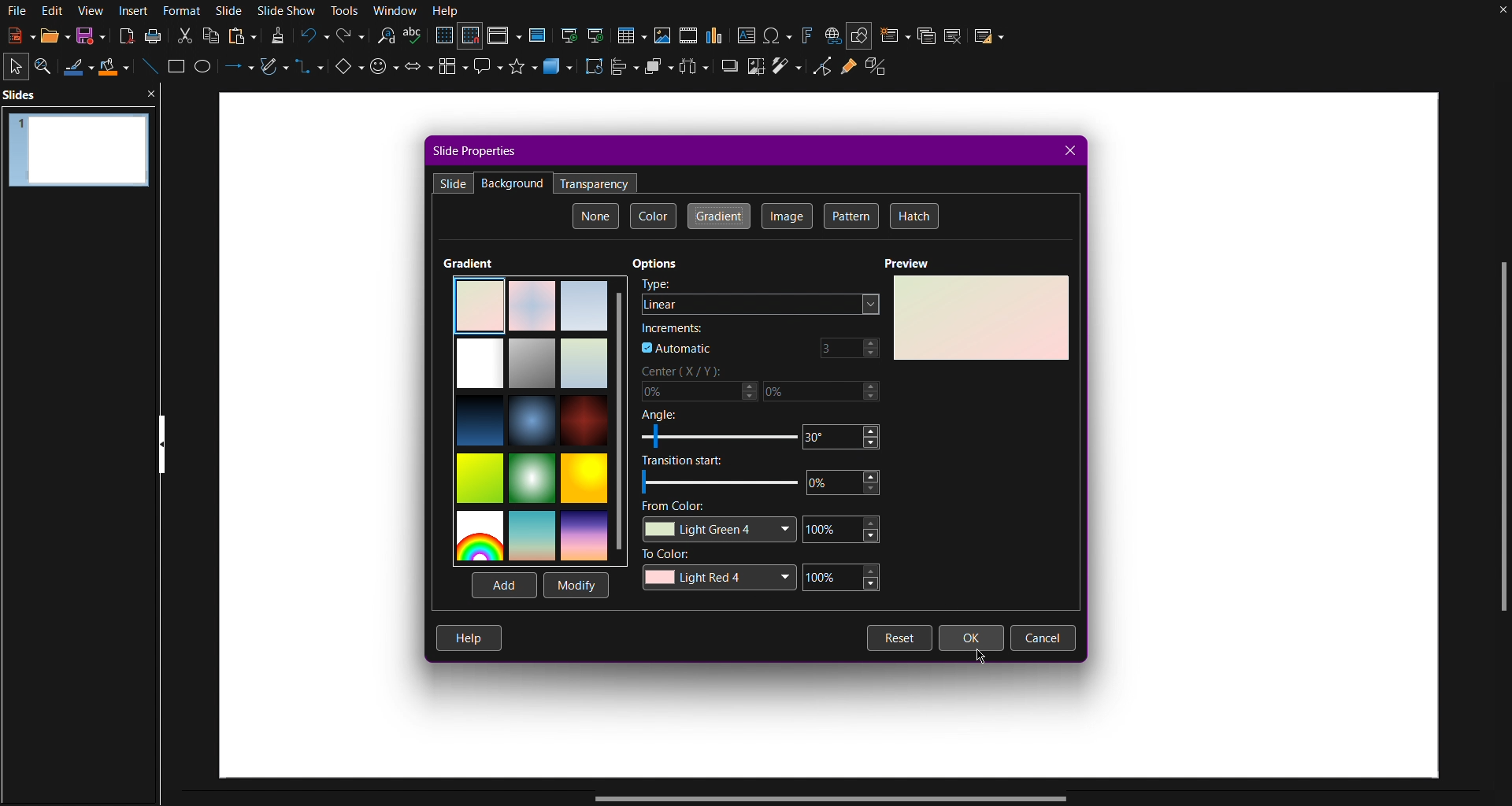  What do you see at coordinates (672, 327) in the screenshot?
I see `Increments` at bounding box center [672, 327].